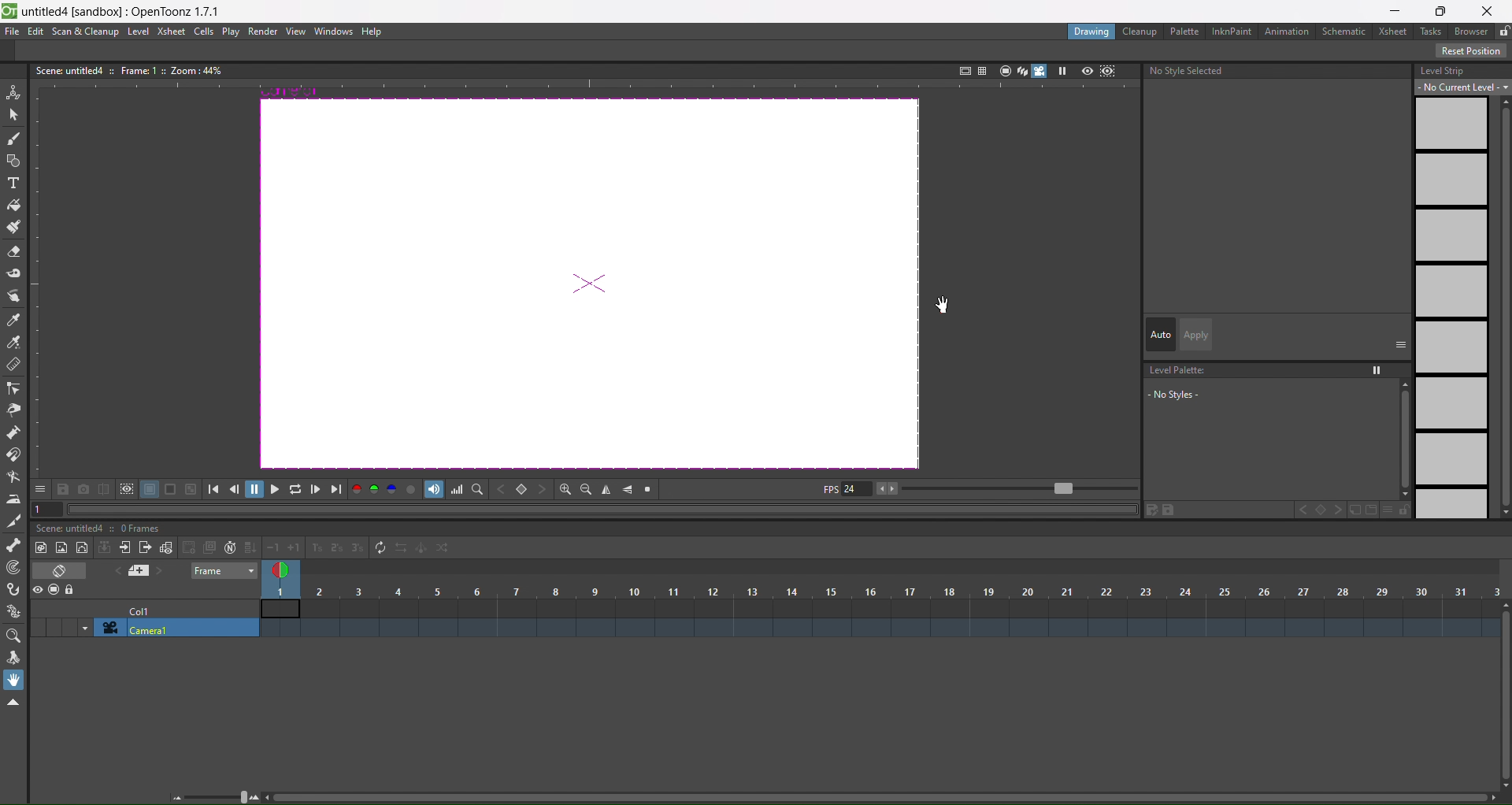 Image resolution: width=1512 pixels, height=805 pixels. What do you see at coordinates (435, 489) in the screenshot?
I see `soundtrack` at bounding box center [435, 489].